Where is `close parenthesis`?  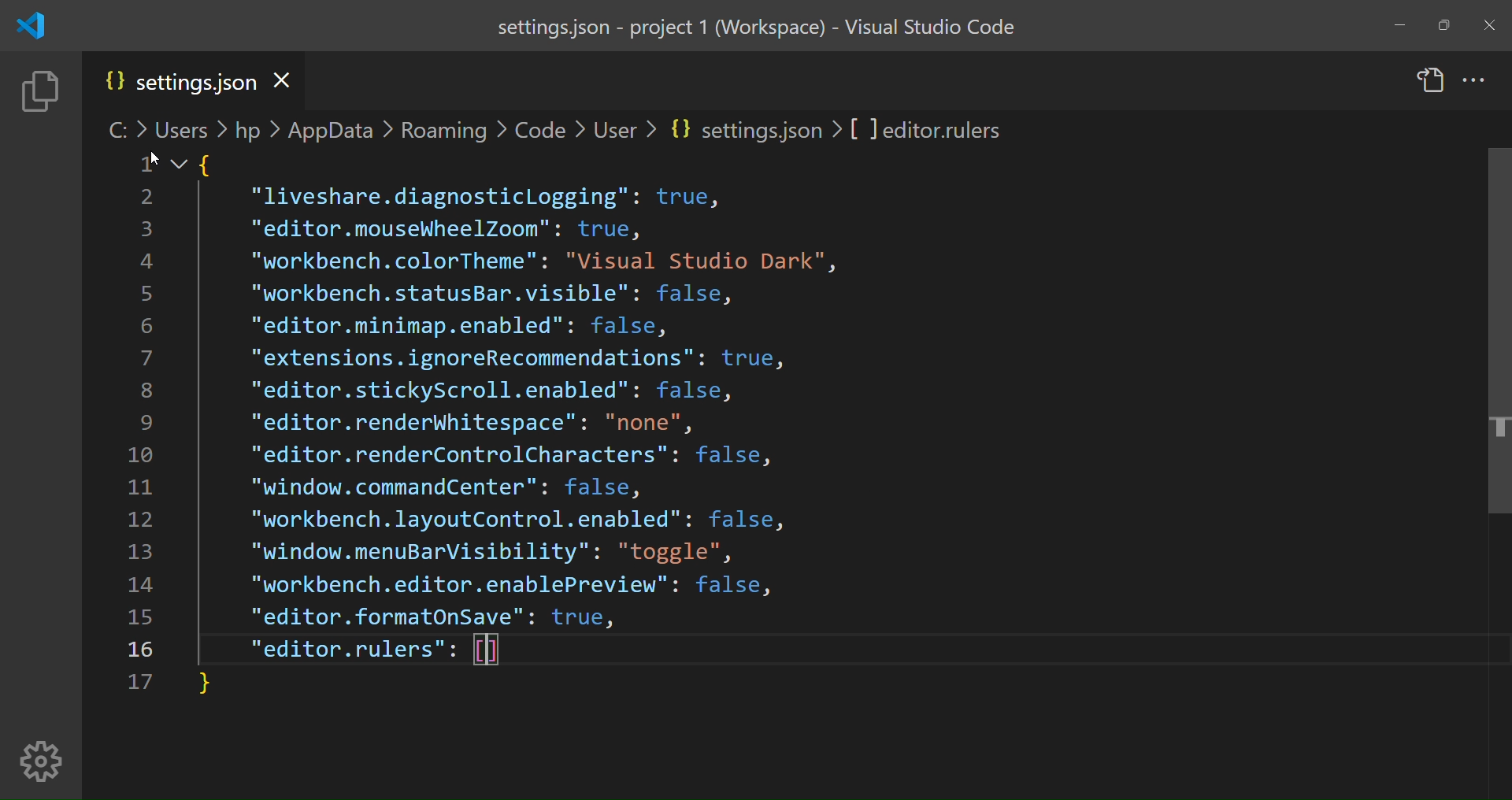 close parenthesis is located at coordinates (207, 685).